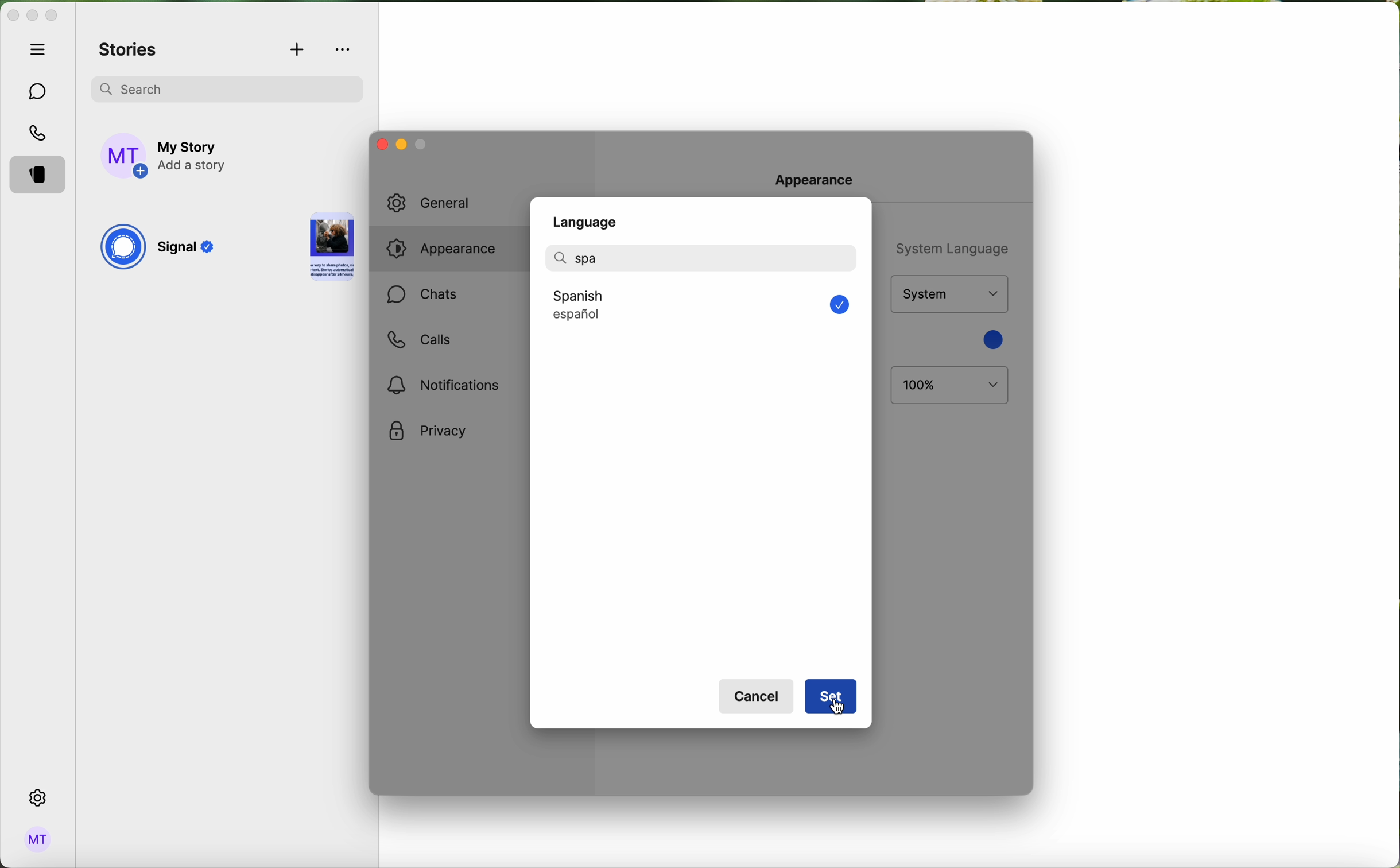 Image resolution: width=1400 pixels, height=868 pixels. What do you see at coordinates (122, 249) in the screenshot?
I see `signal logo` at bounding box center [122, 249].